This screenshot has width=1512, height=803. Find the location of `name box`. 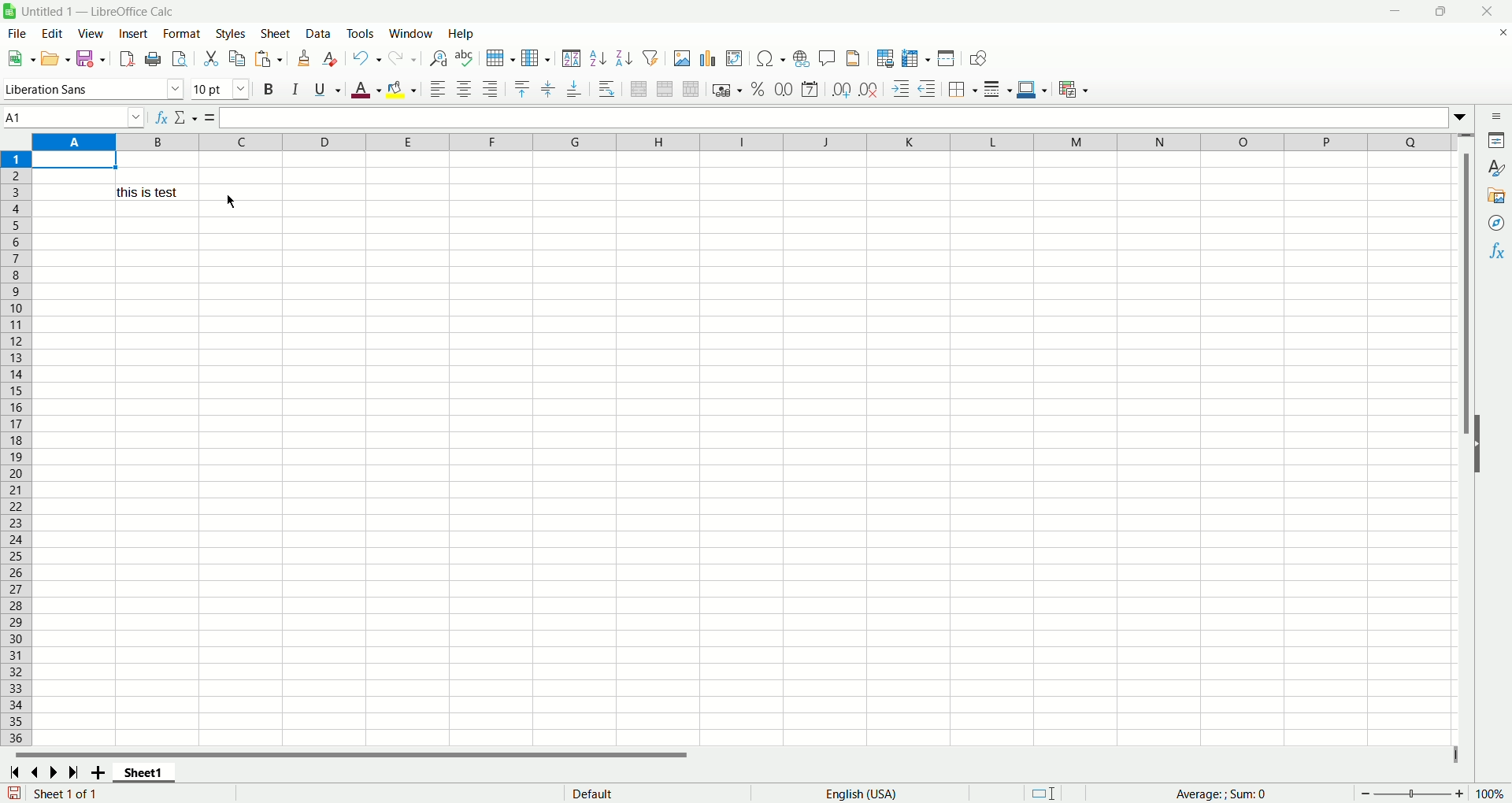

name box is located at coordinates (74, 117).